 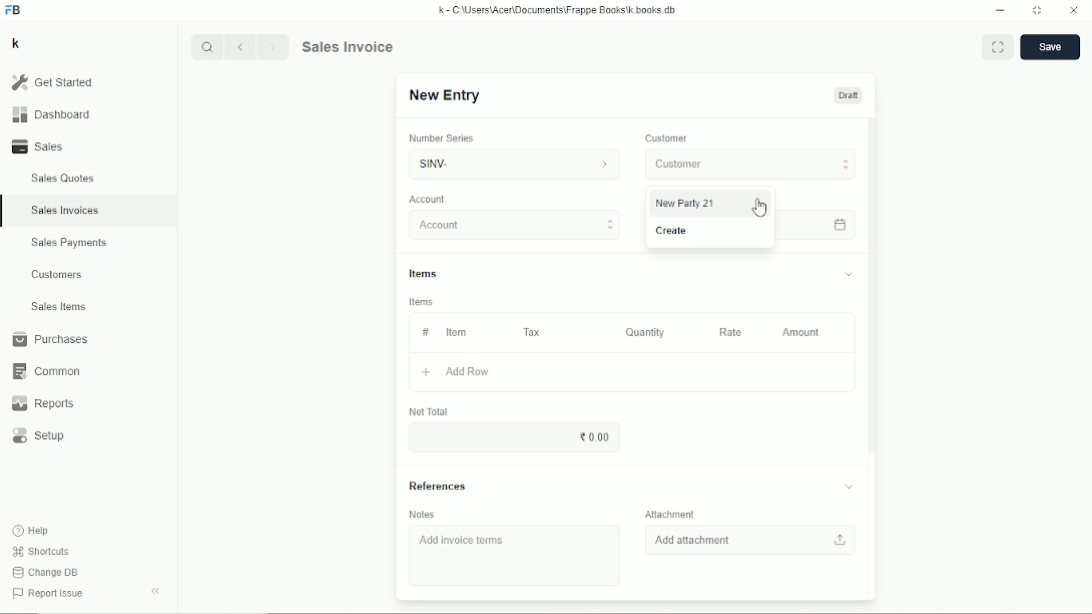 What do you see at coordinates (673, 513) in the screenshot?
I see `Attachment` at bounding box center [673, 513].